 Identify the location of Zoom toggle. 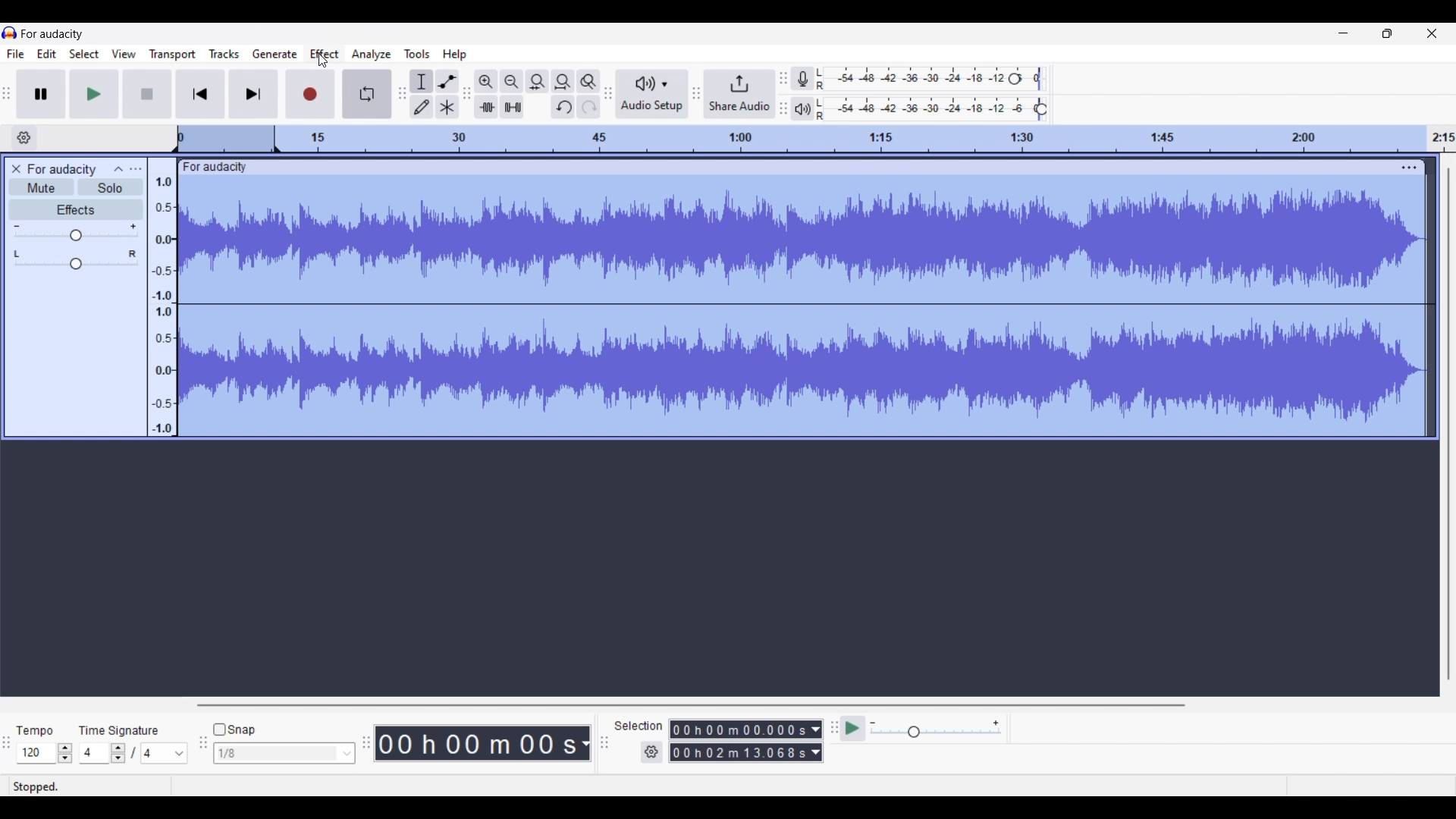
(589, 81).